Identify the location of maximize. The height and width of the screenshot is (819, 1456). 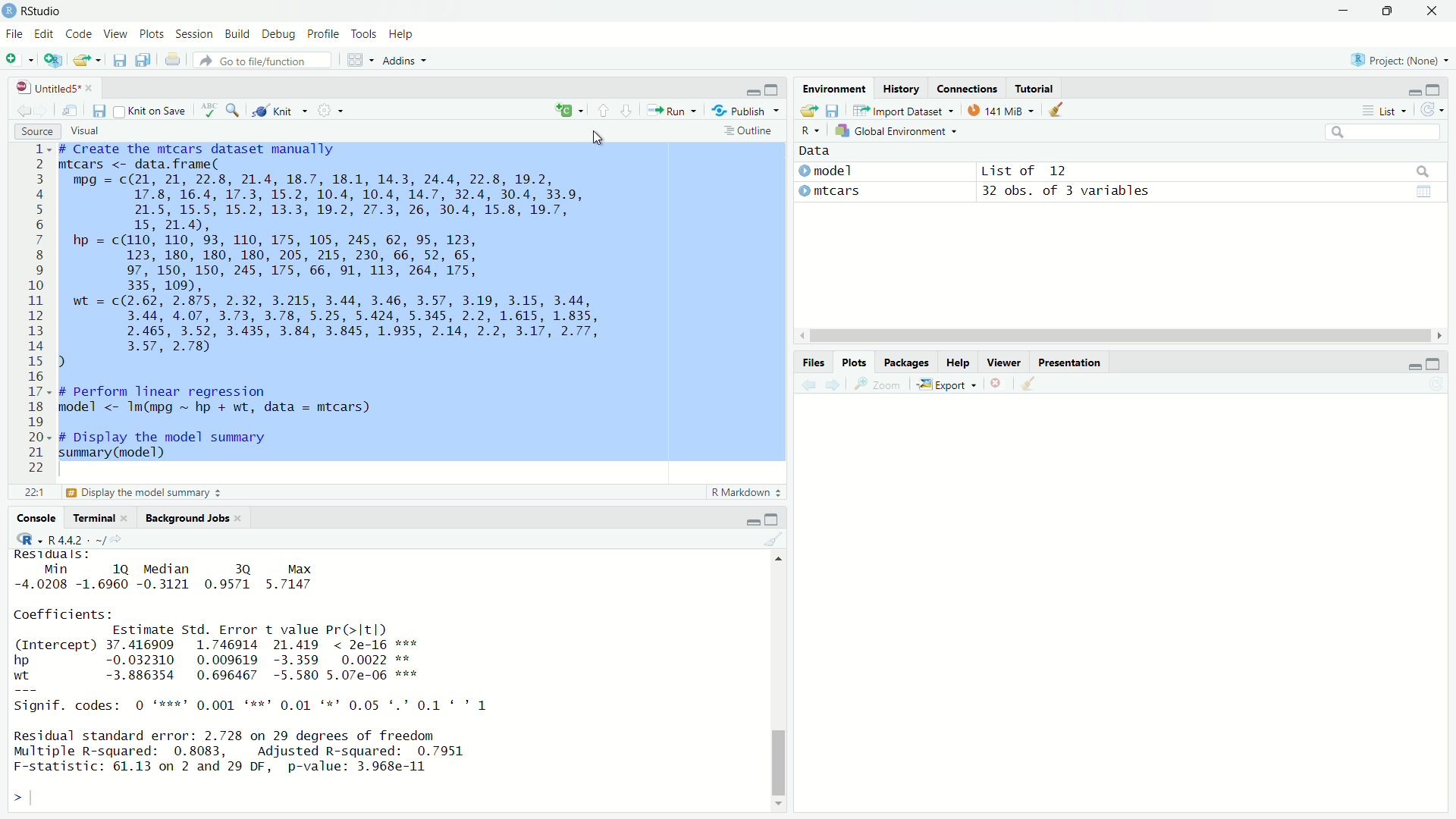
(774, 517).